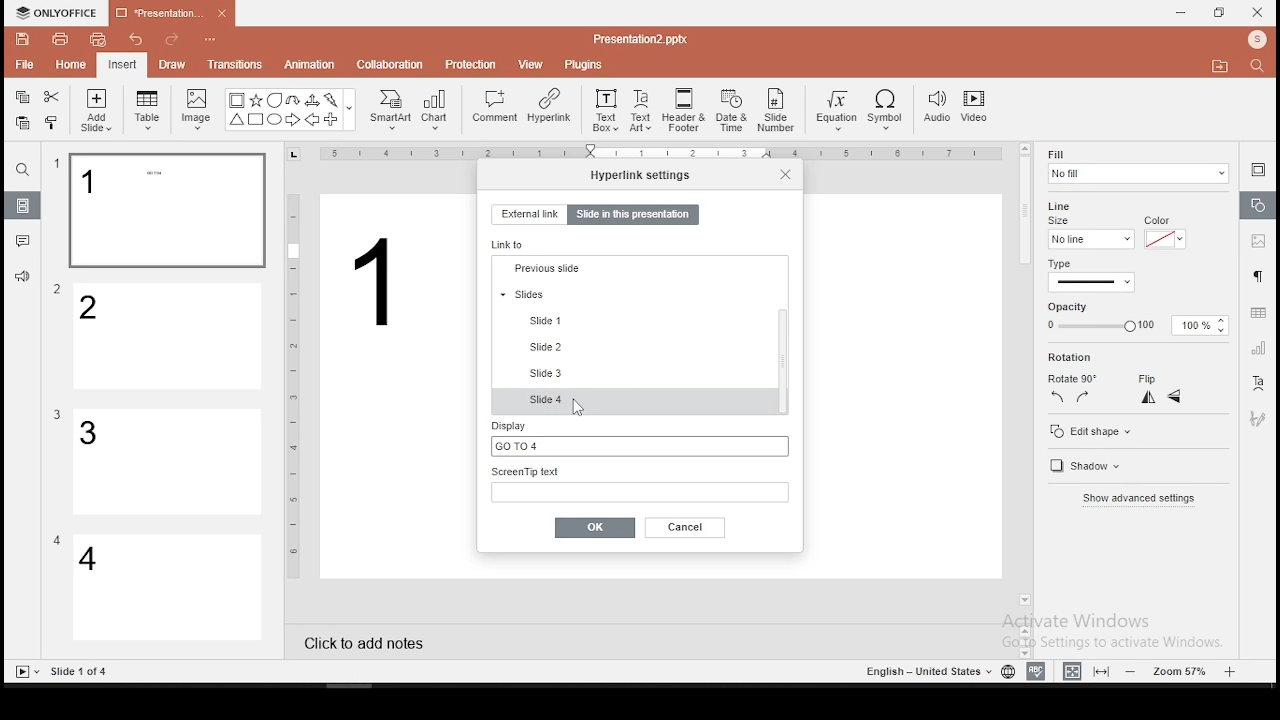  I want to click on Slide, so click(23, 672).